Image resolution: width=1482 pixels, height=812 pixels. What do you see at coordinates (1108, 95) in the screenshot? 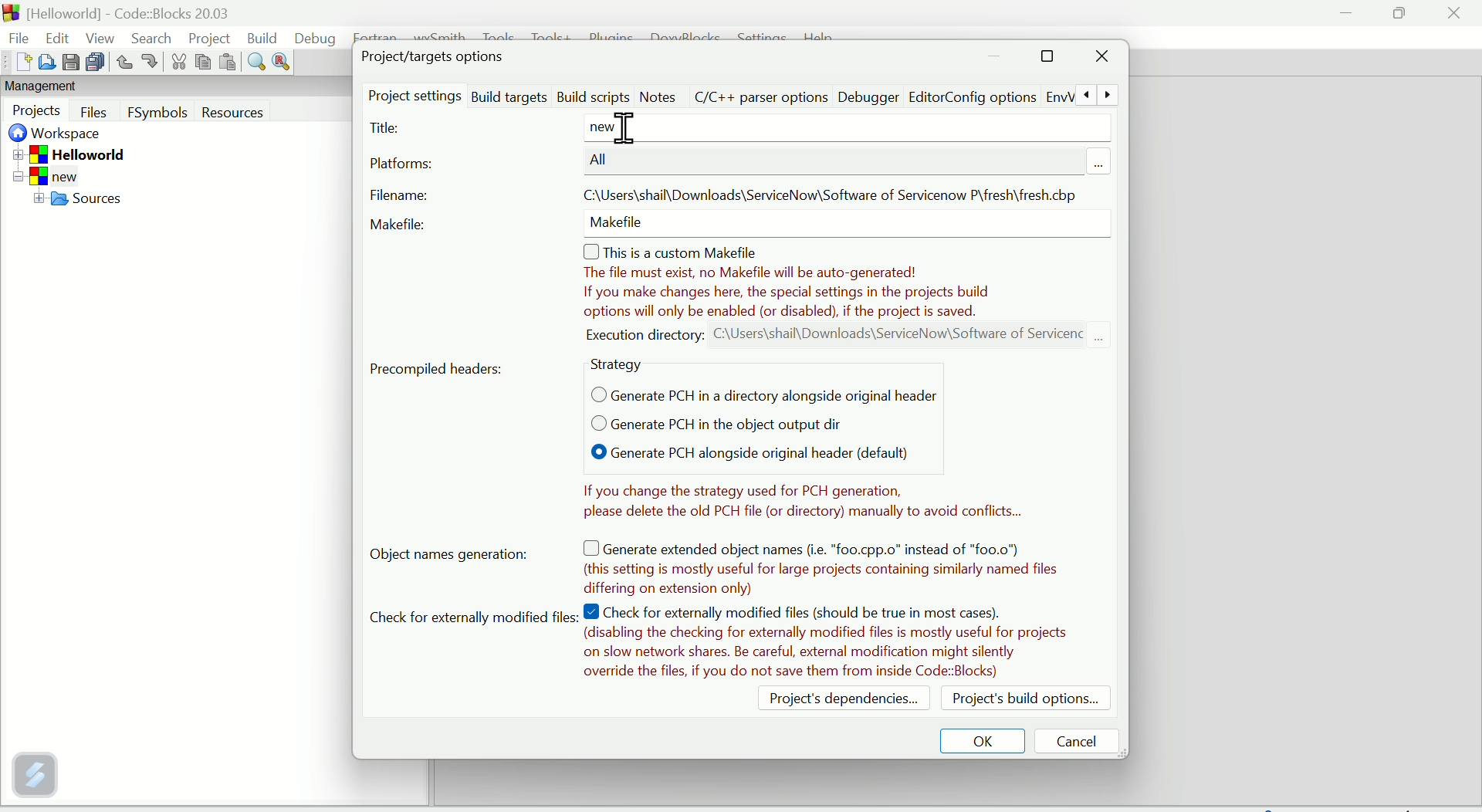
I see `Next` at bounding box center [1108, 95].